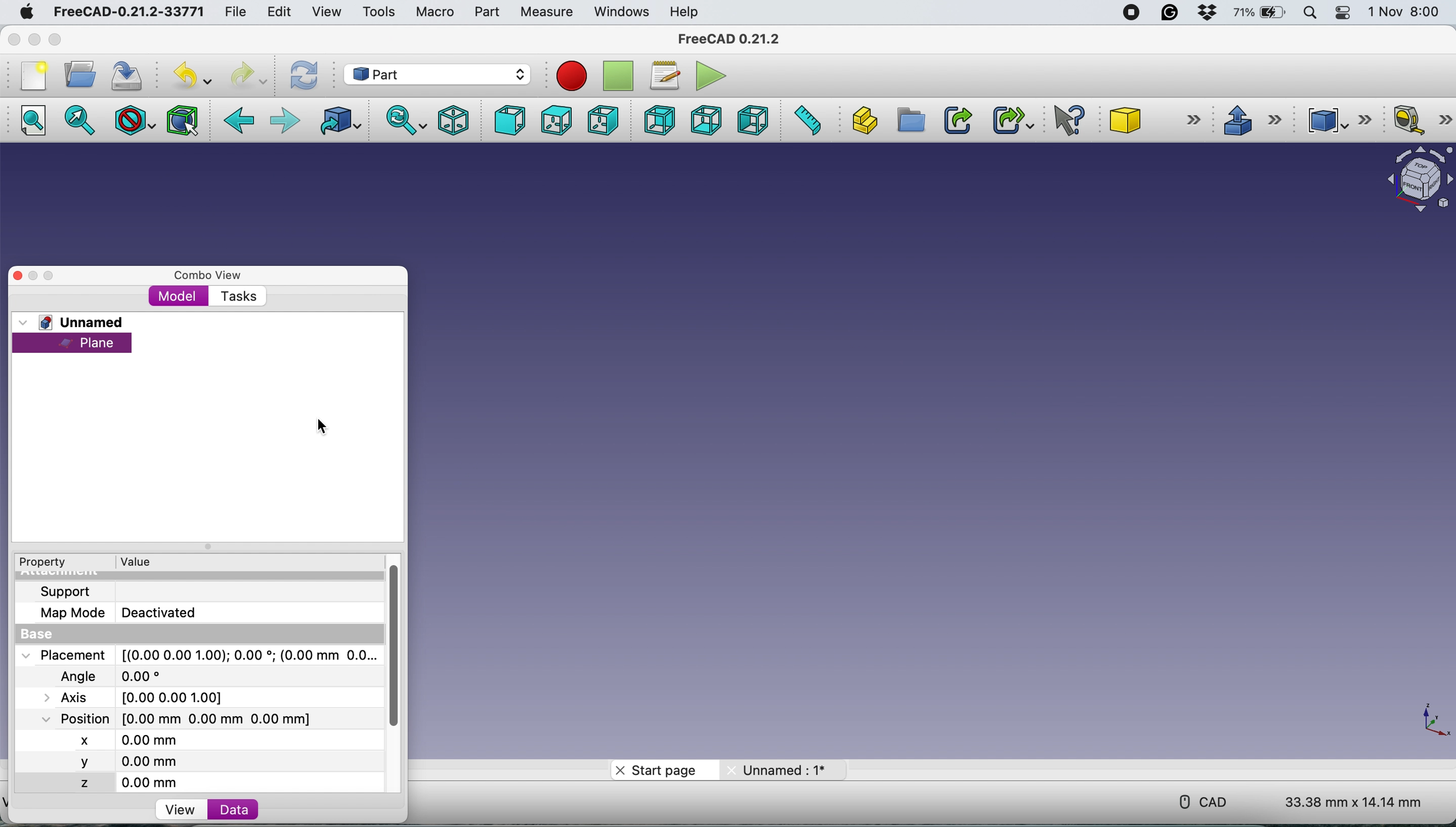  I want to click on backward, so click(238, 120).